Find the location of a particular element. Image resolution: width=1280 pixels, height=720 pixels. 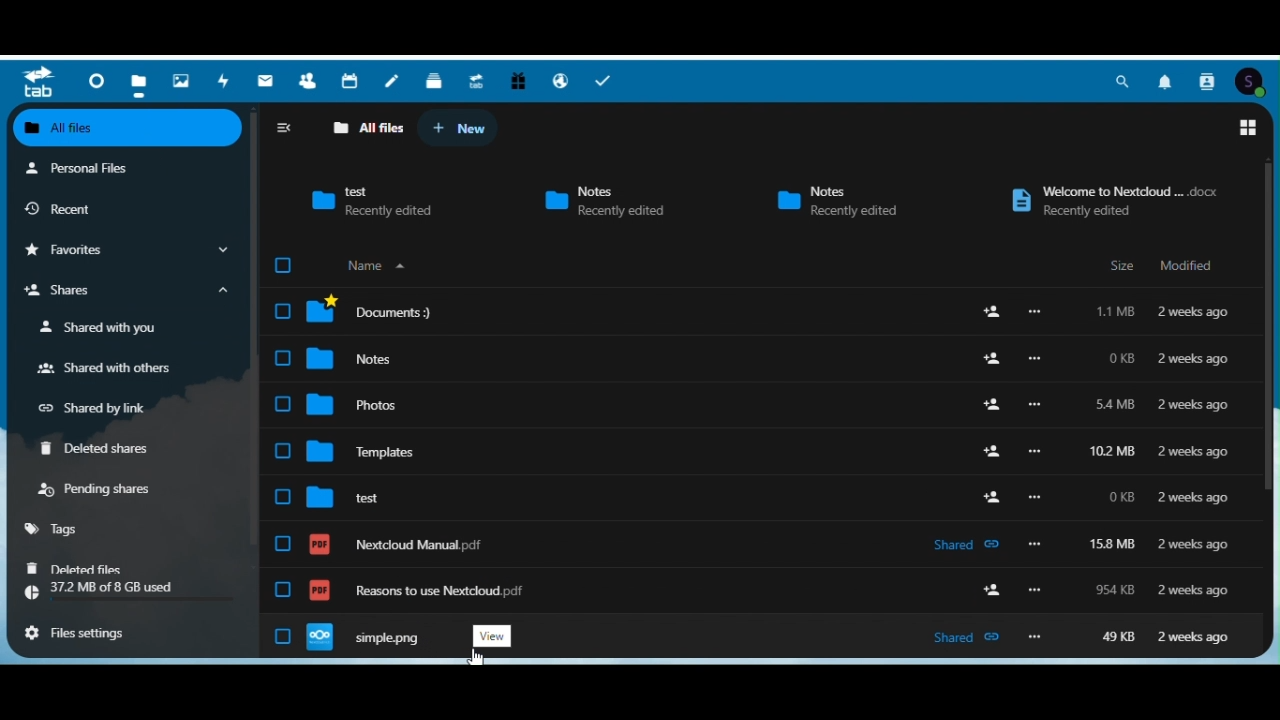

Collapse sidebar is located at coordinates (283, 130).